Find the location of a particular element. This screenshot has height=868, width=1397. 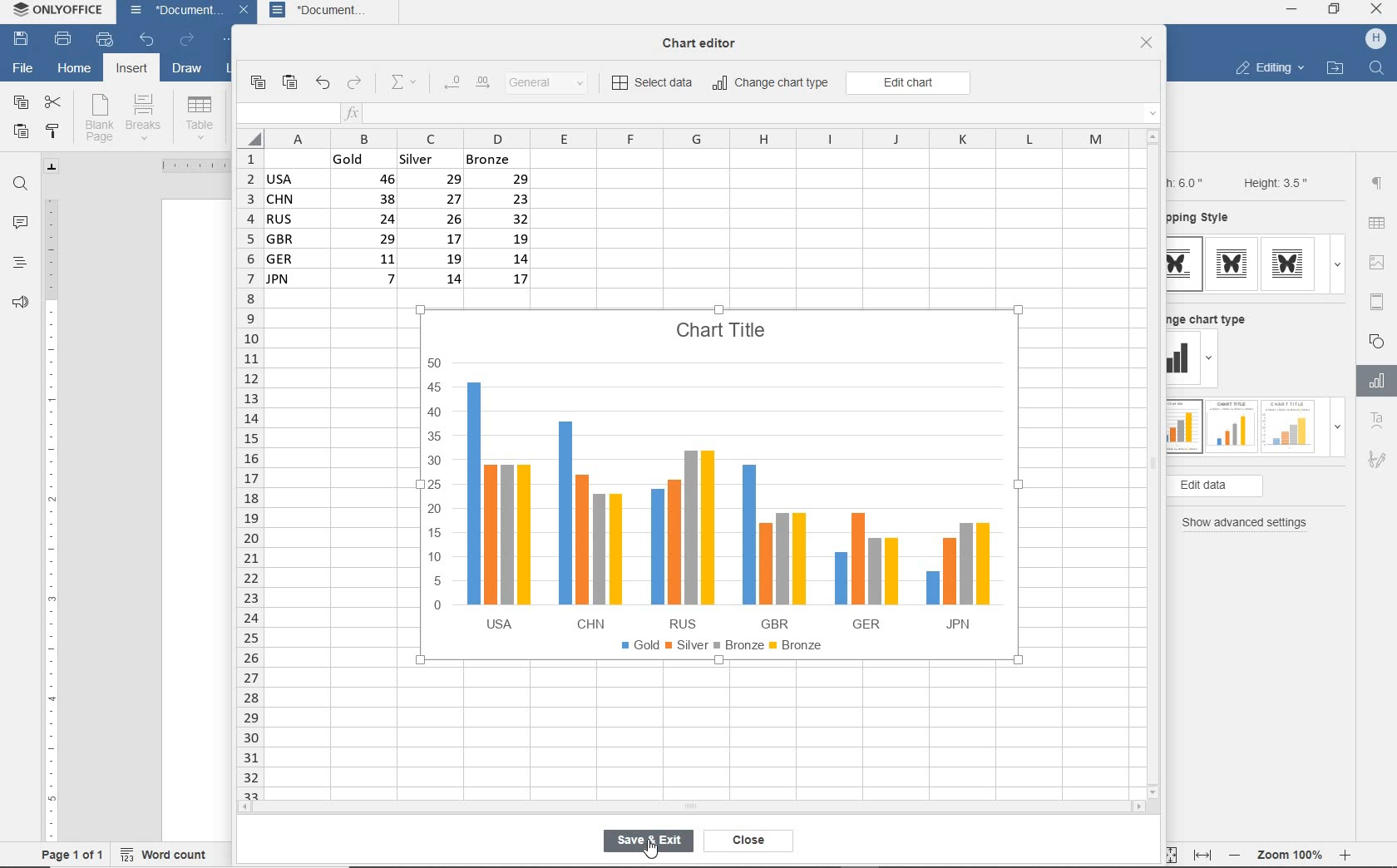

columns is located at coordinates (684, 138).